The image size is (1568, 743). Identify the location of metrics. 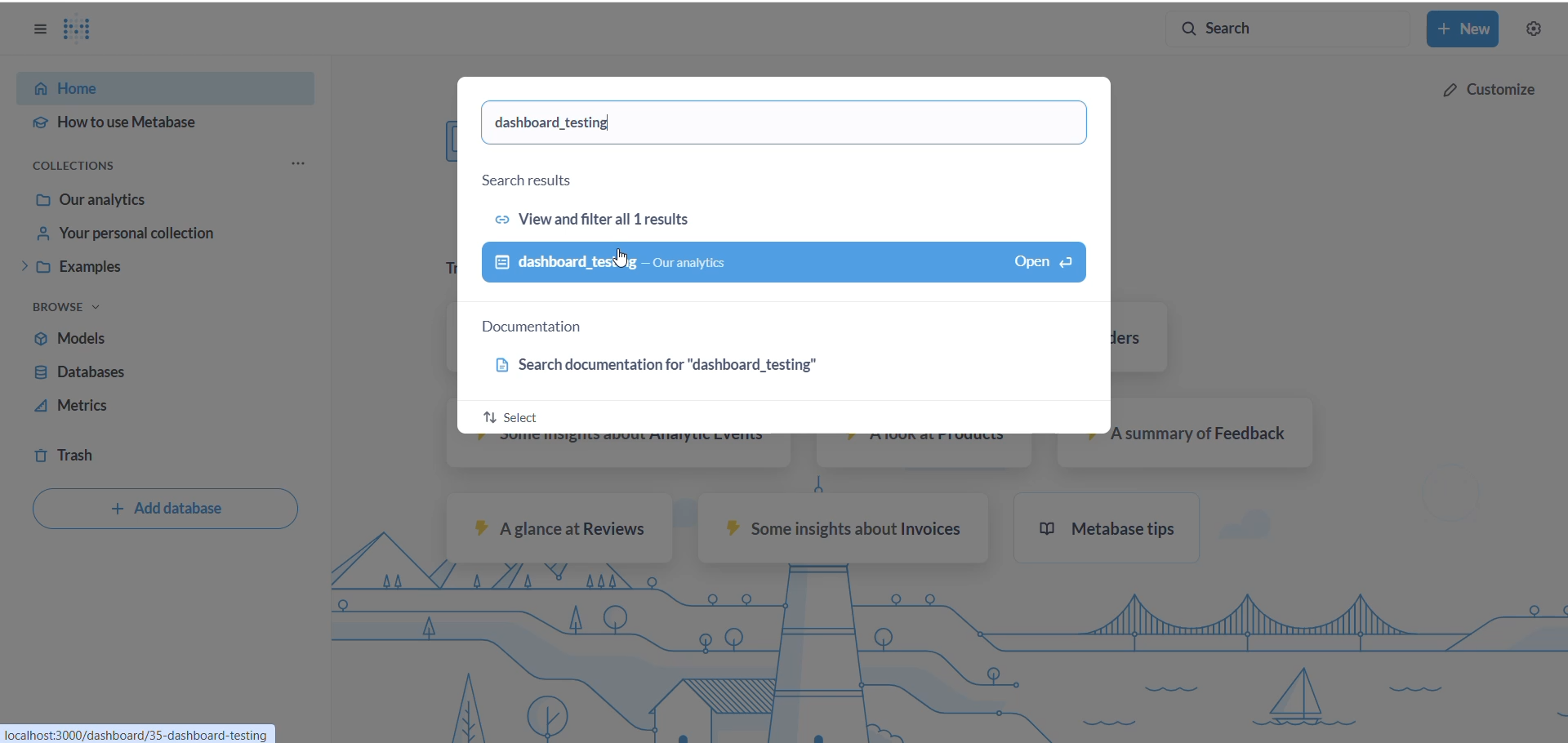
(138, 406).